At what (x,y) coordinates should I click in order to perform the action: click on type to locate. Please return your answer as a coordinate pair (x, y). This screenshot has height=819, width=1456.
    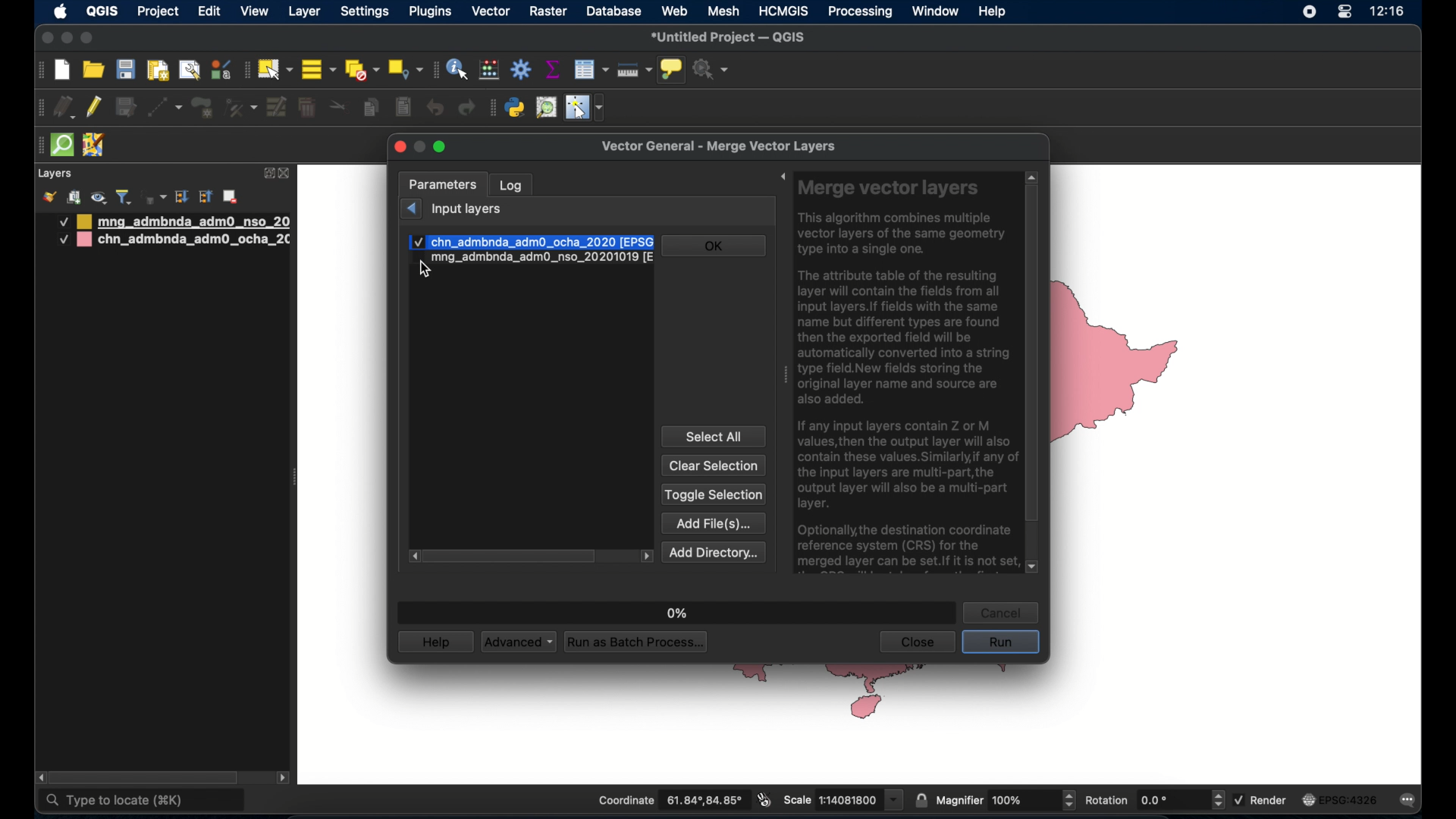
    Looking at the image, I should click on (143, 802).